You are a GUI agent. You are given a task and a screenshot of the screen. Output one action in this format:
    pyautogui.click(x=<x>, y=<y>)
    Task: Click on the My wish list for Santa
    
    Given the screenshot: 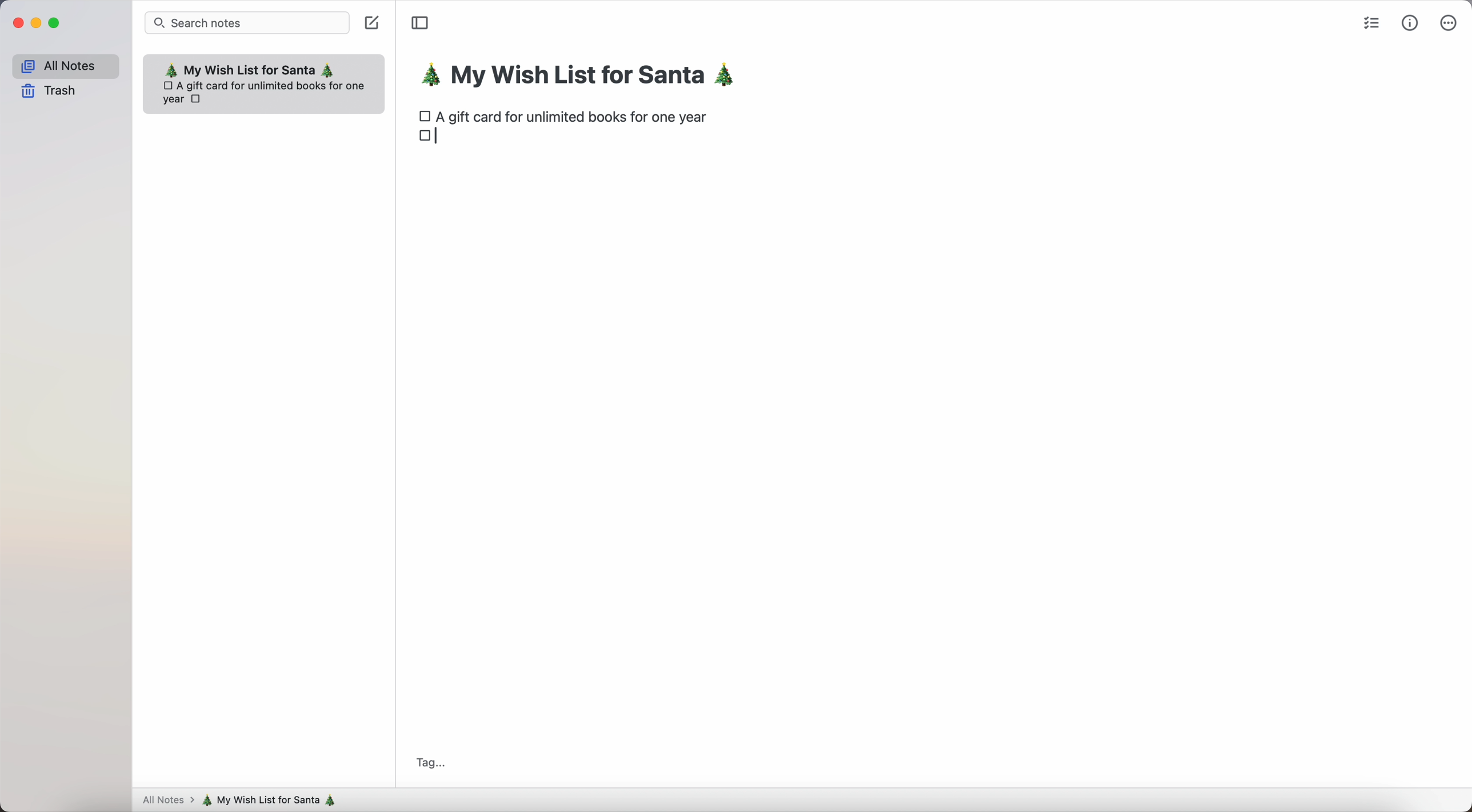 What is the action you would take?
    pyautogui.click(x=250, y=69)
    